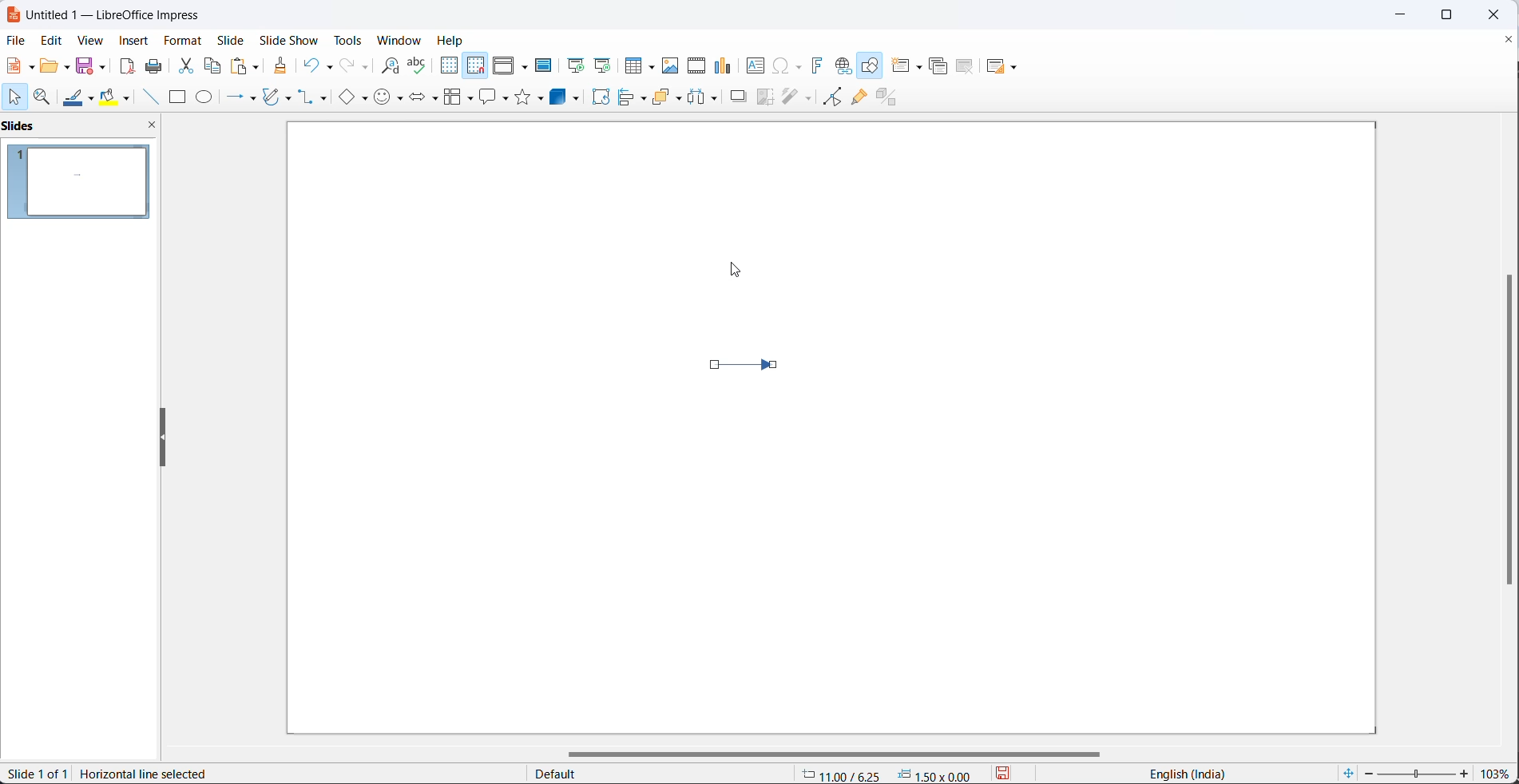  Describe the element at coordinates (18, 98) in the screenshot. I see `cursor` at that location.